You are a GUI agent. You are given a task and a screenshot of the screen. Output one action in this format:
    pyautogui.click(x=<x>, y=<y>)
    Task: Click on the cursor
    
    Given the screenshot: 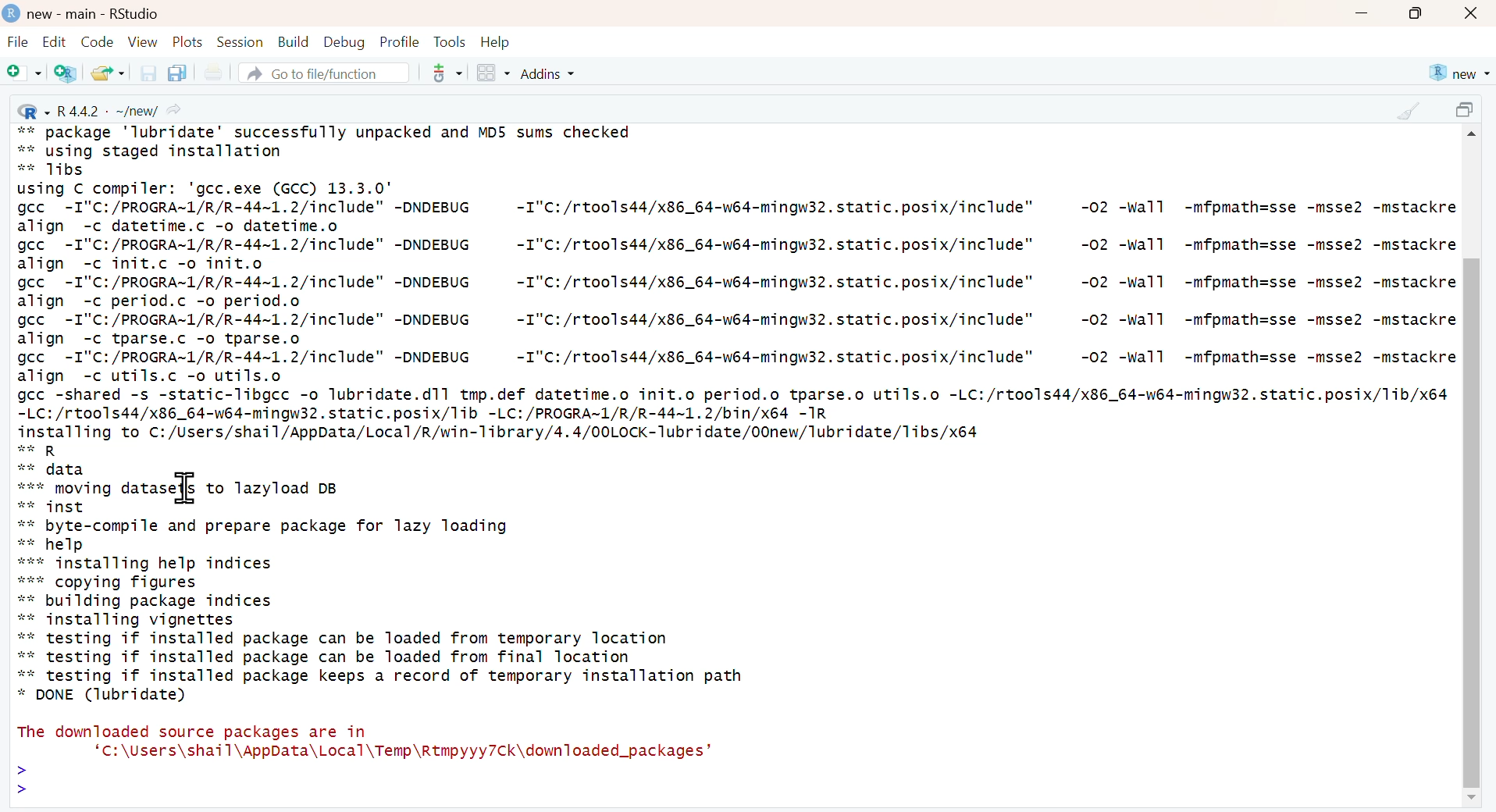 What is the action you would take?
    pyautogui.click(x=188, y=490)
    